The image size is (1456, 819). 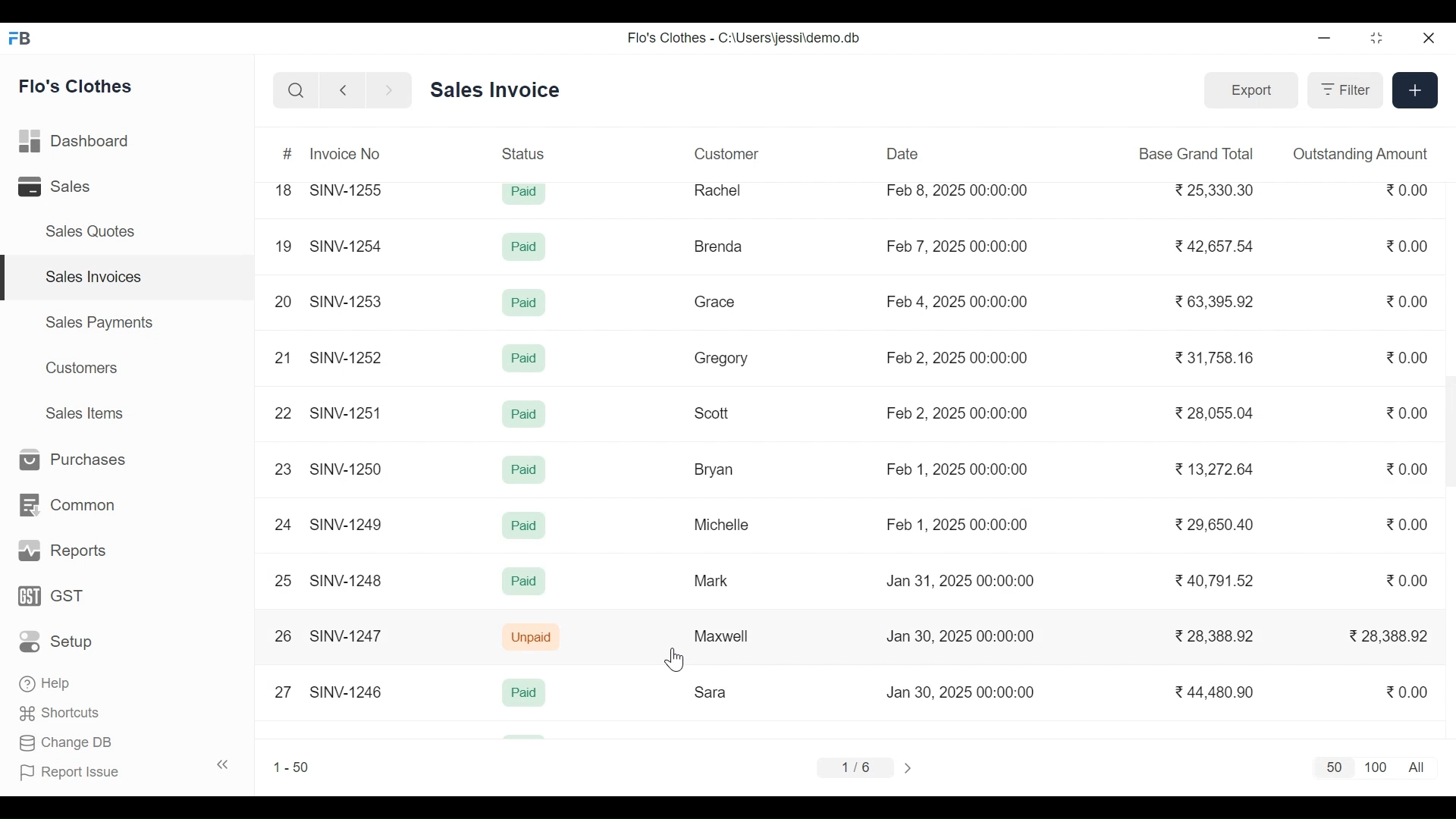 I want to click on 25,330.30, so click(x=1217, y=190).